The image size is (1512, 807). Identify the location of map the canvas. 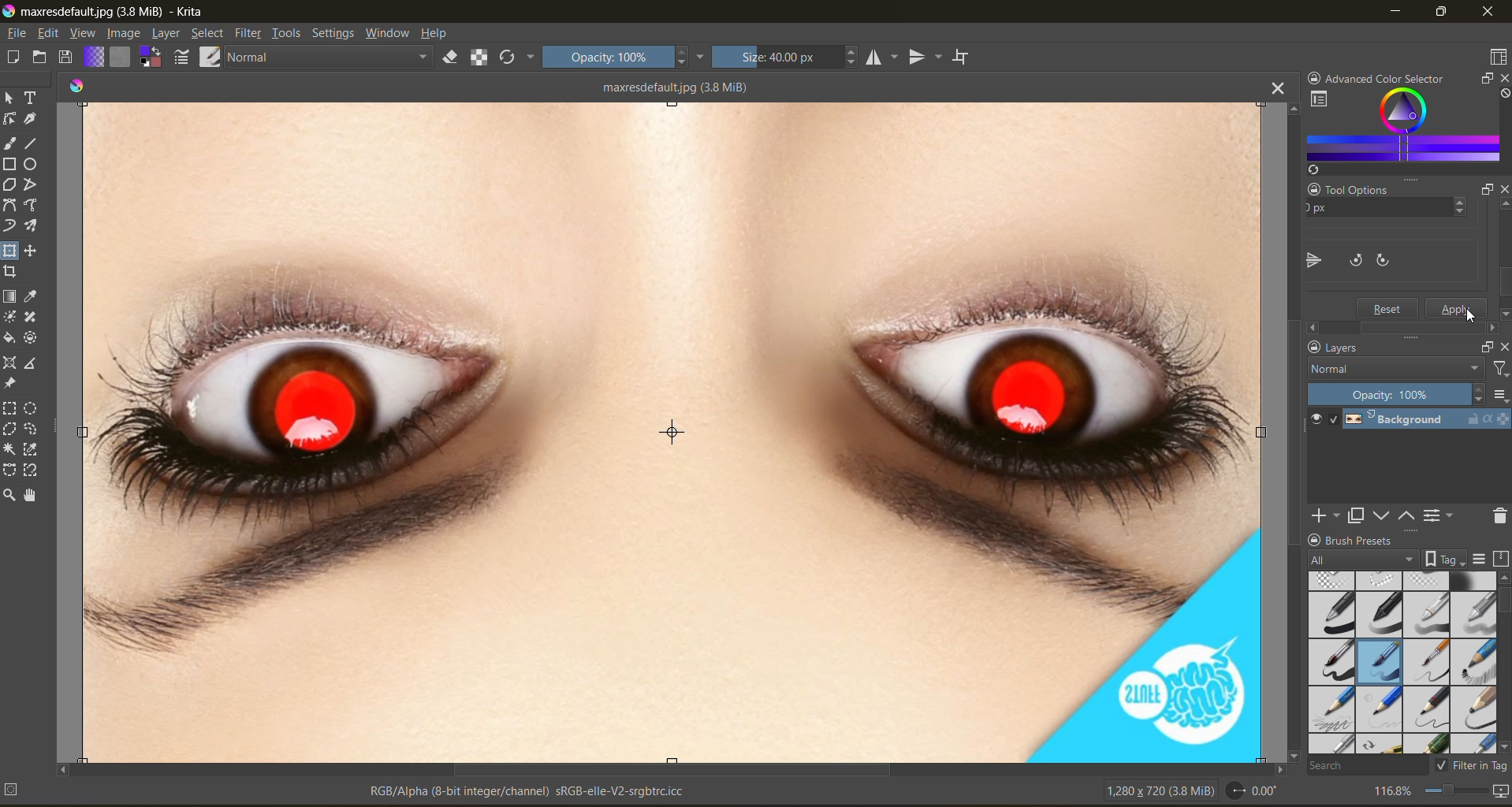
(1502, 792).